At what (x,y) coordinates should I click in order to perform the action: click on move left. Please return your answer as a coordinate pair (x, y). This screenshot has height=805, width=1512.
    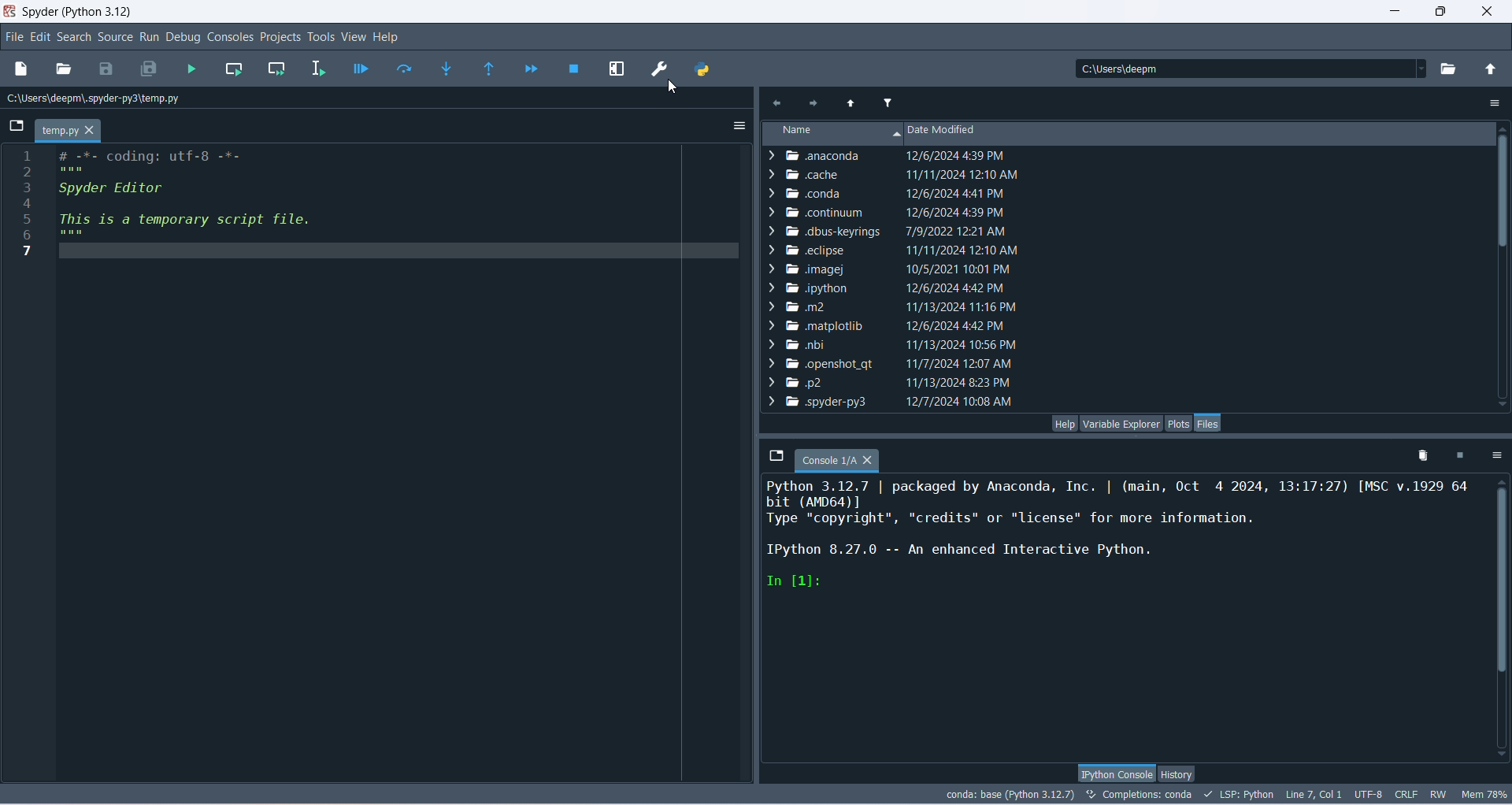
    Looking at the image, I should click on (815, 103).